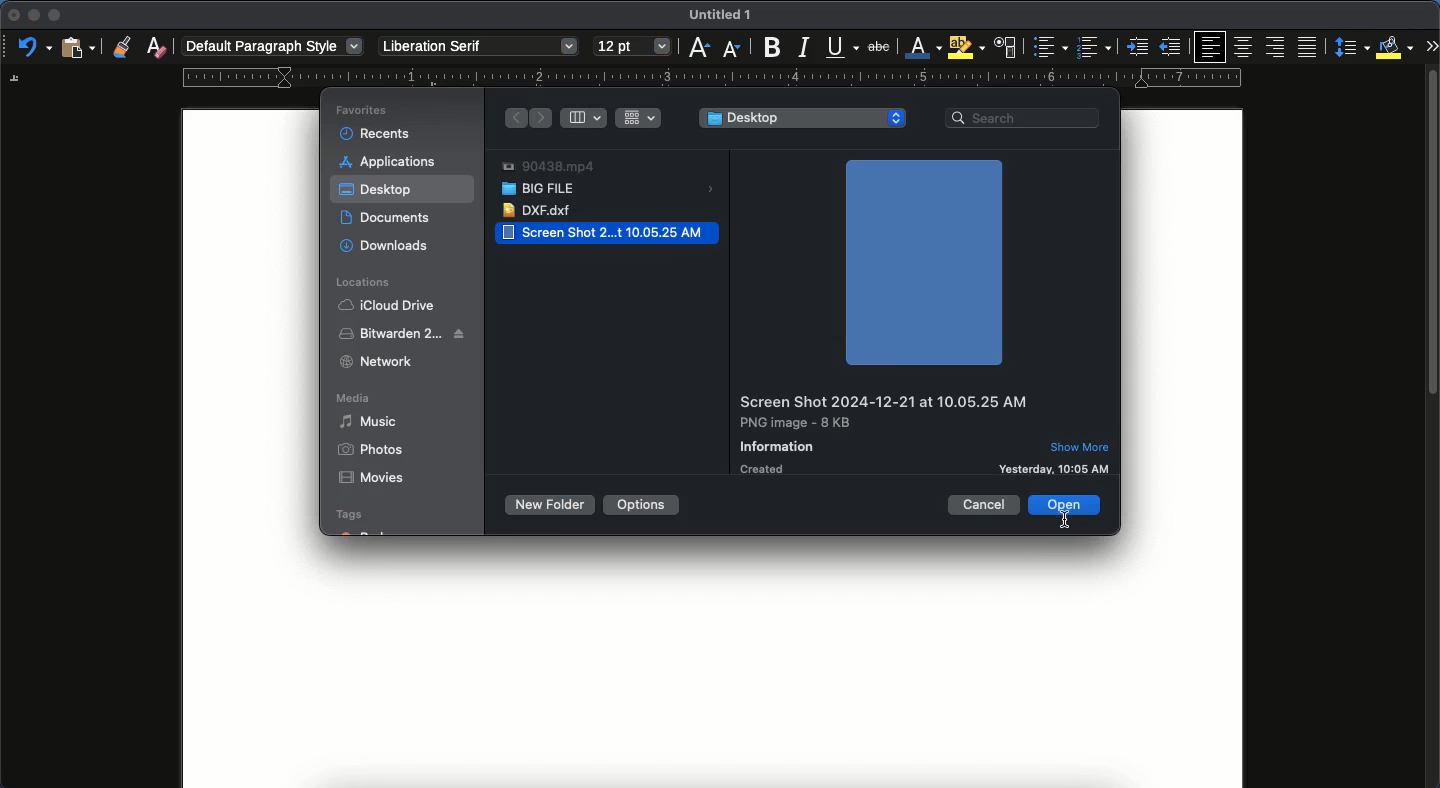  Describe the element at coordinates (921, 48) in the screenshot. I see `line color` at that location.